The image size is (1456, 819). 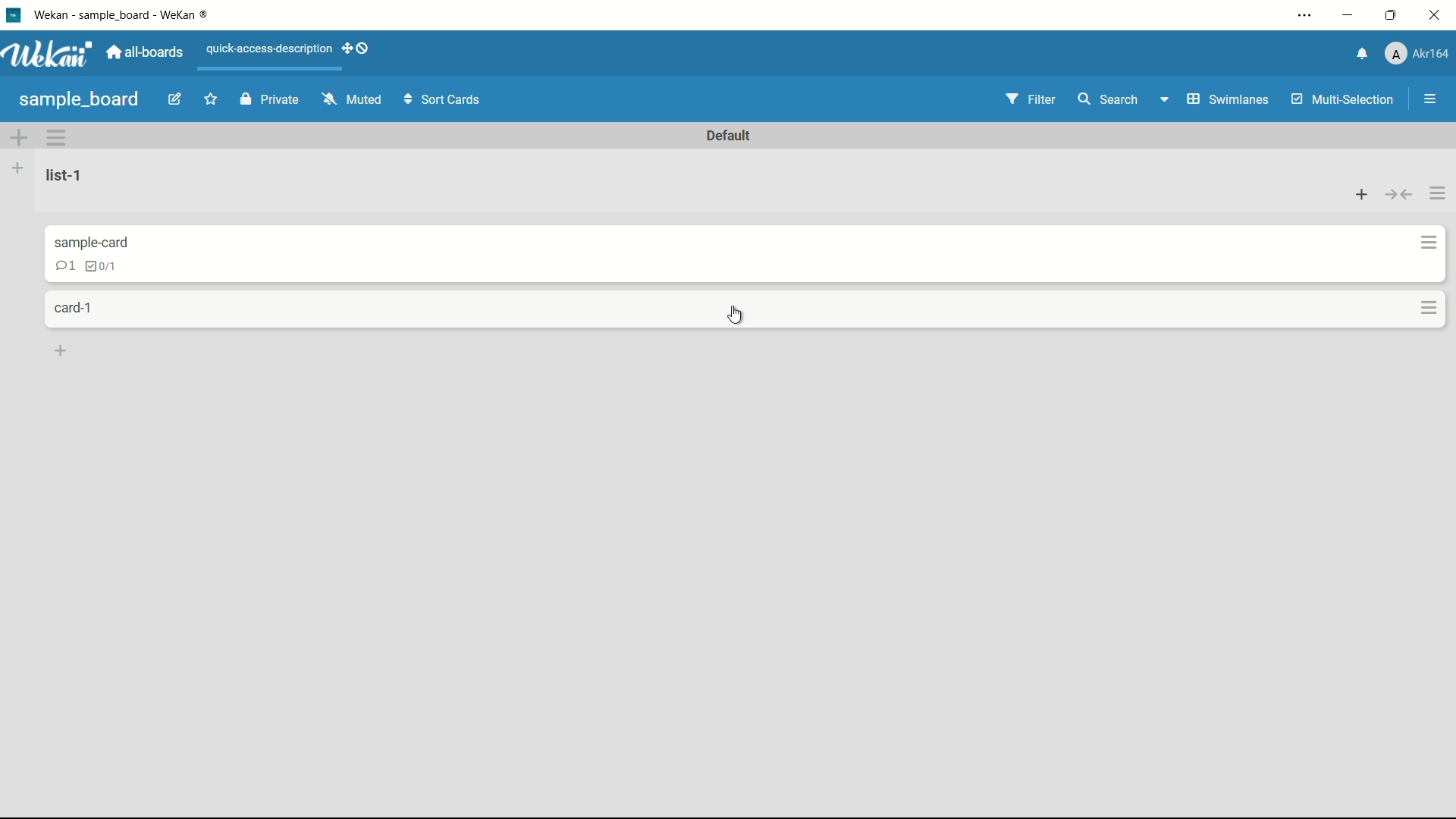 What do you see at coordinates (730, 136) in the screenshot?
I see `default` at bounding box center [730, 136].